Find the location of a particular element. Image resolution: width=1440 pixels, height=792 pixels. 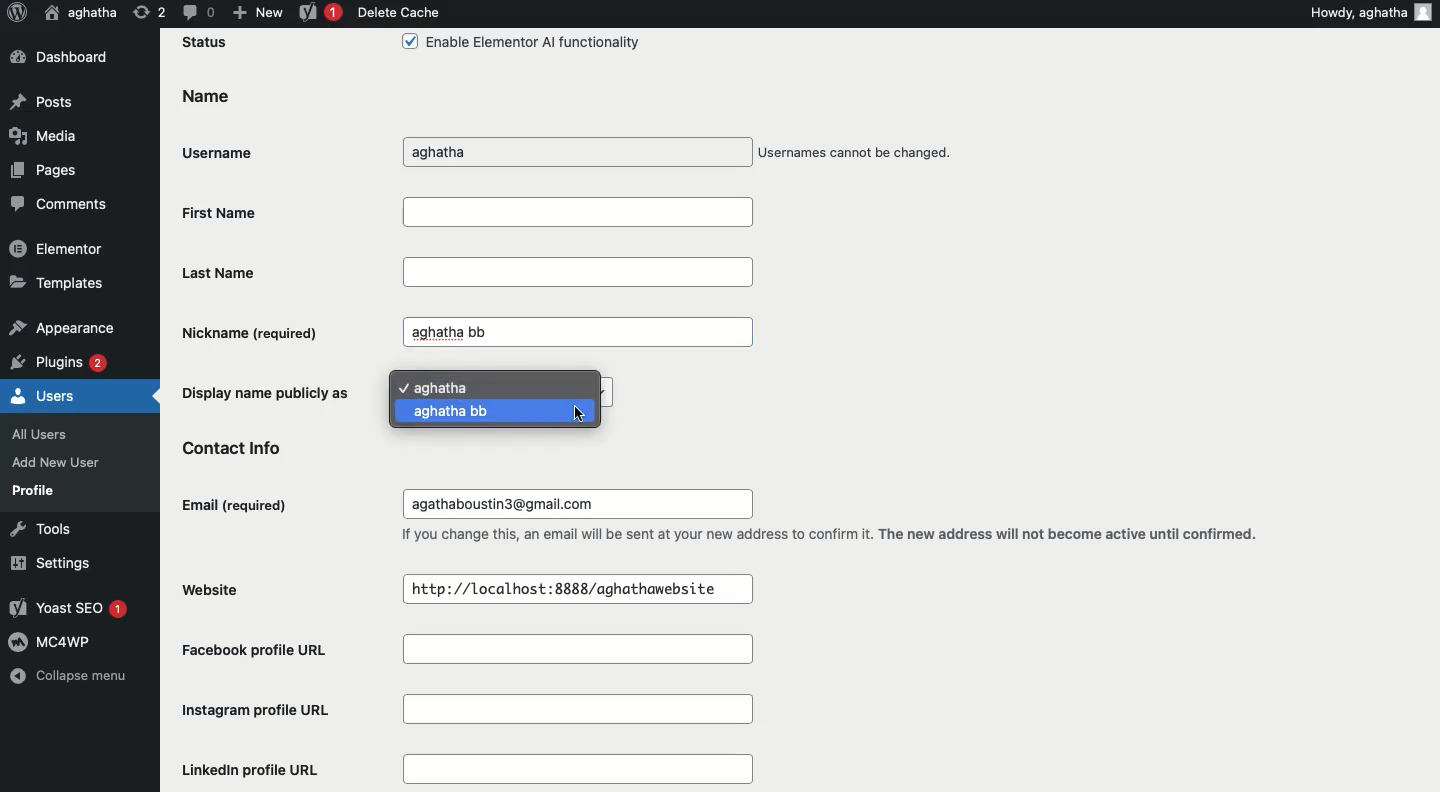

Tools is located at coordinates (37, 528).